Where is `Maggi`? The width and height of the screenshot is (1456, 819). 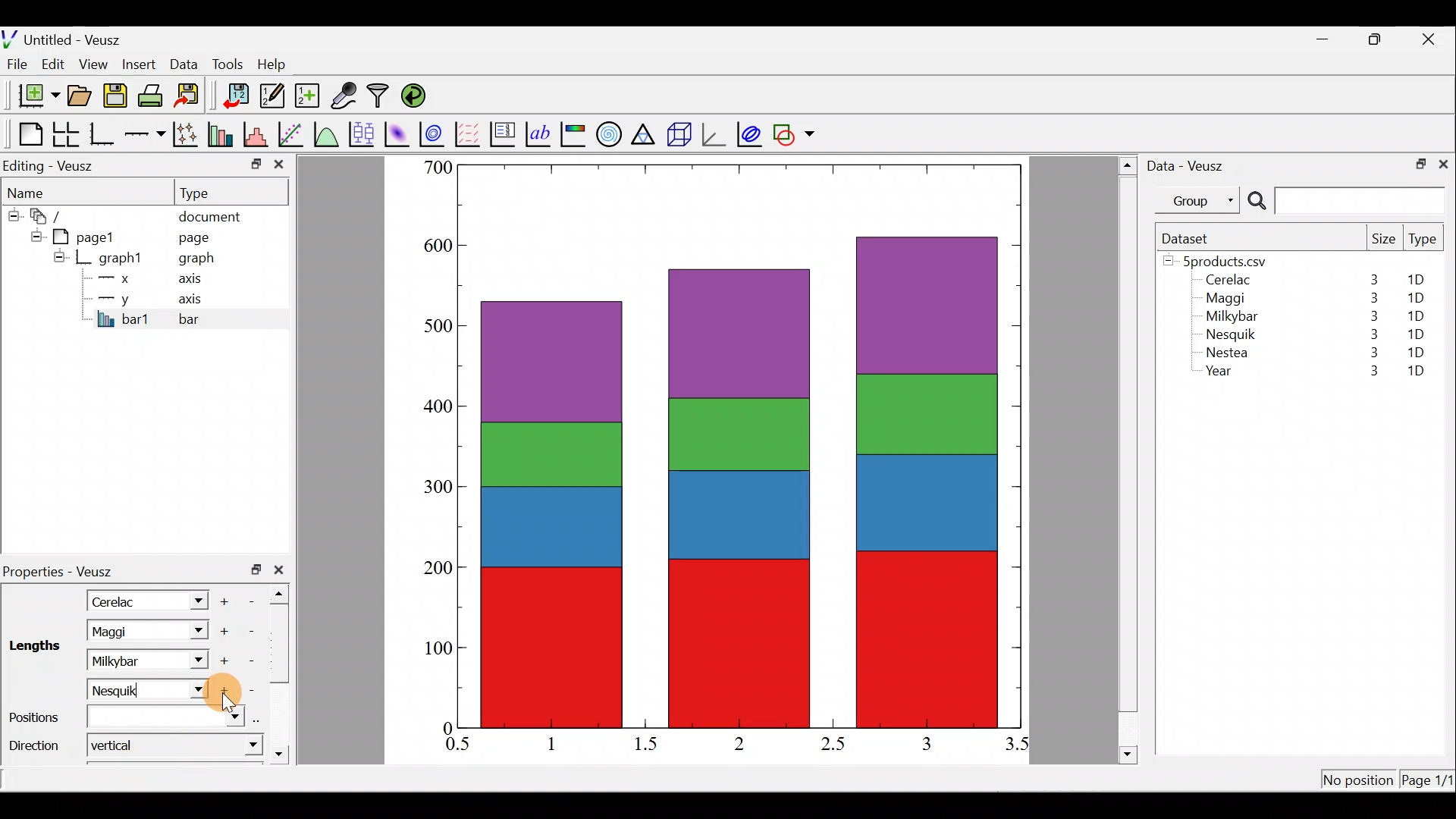 Maggi is located at coordinates (1227, 300).